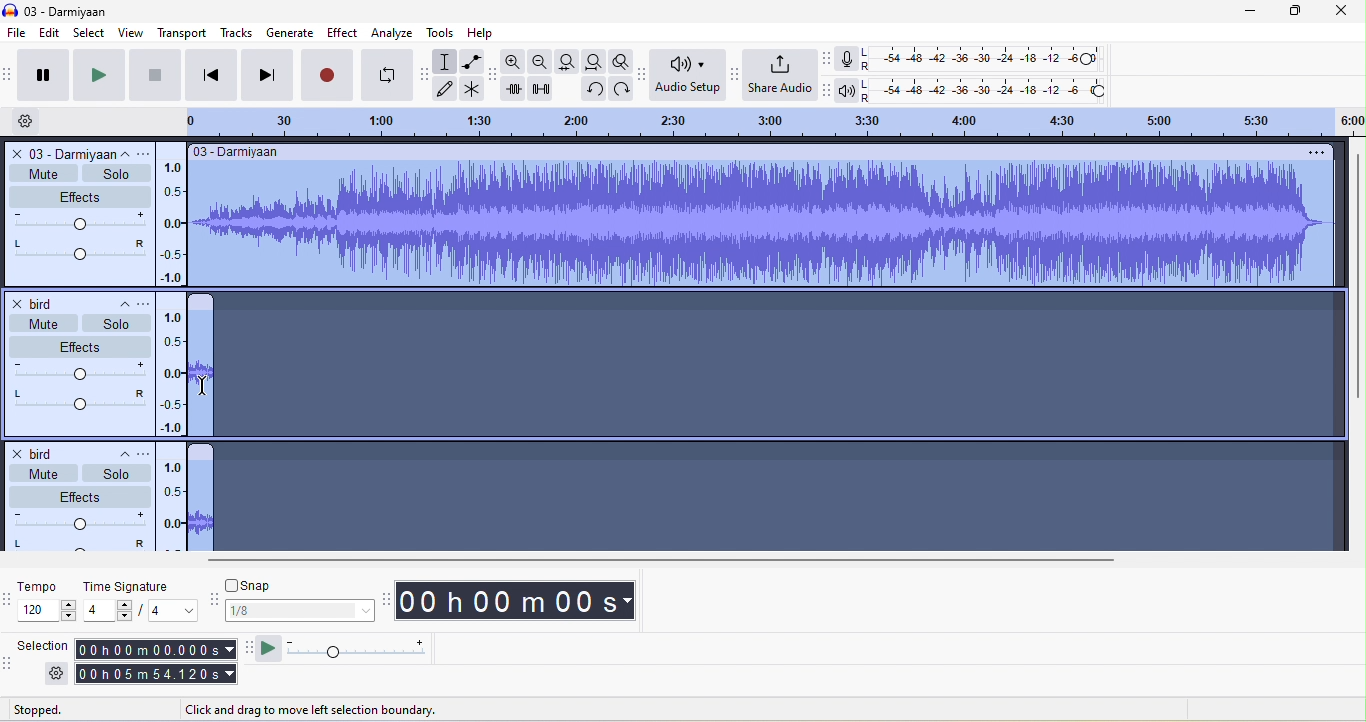  I want to click on silence audio selection, so click(544, 89).